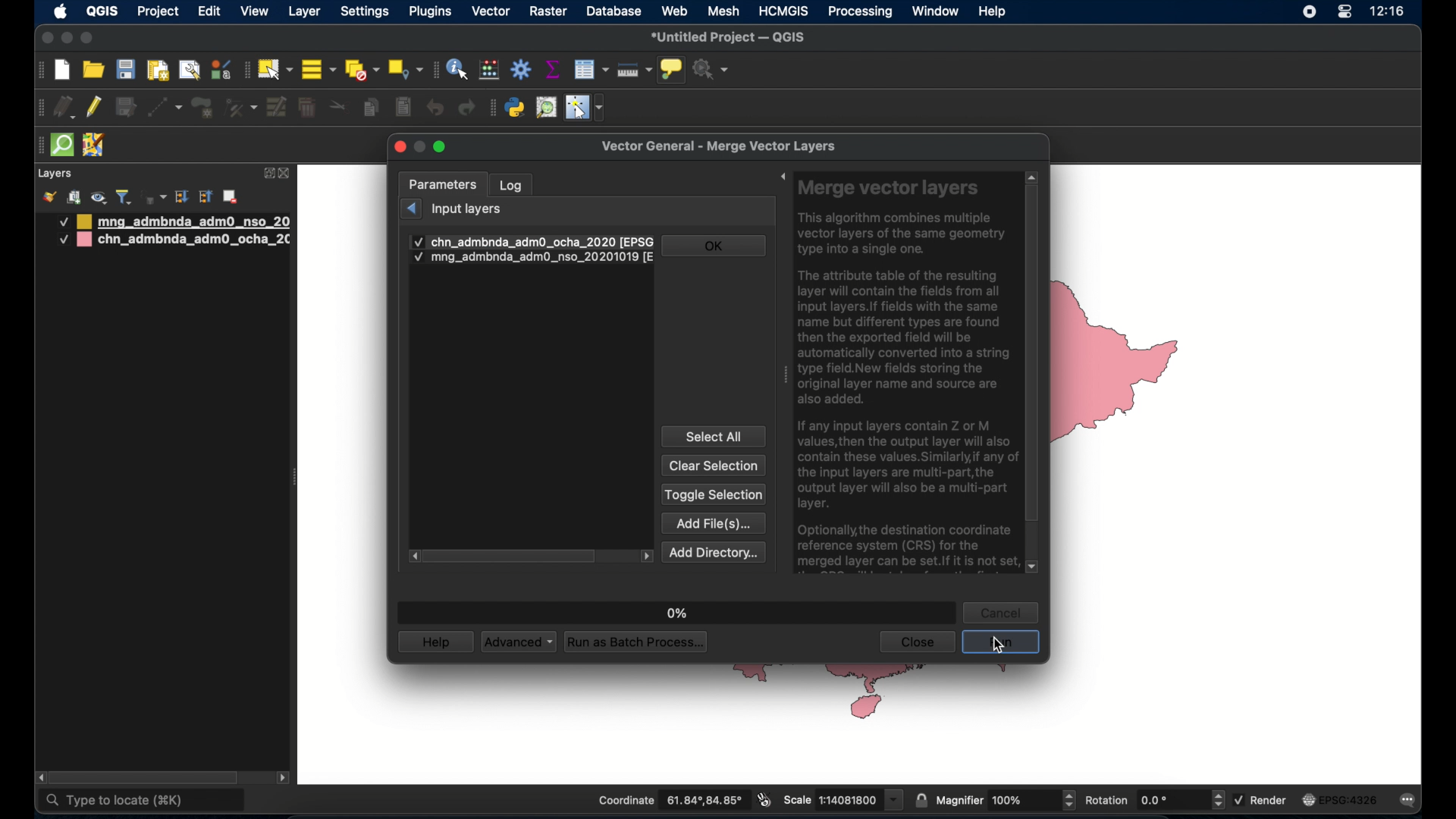 The image size is (1456, 819). Describe the element at coordinates (63, 71) in the screenshot. I see `create new project` at that location.